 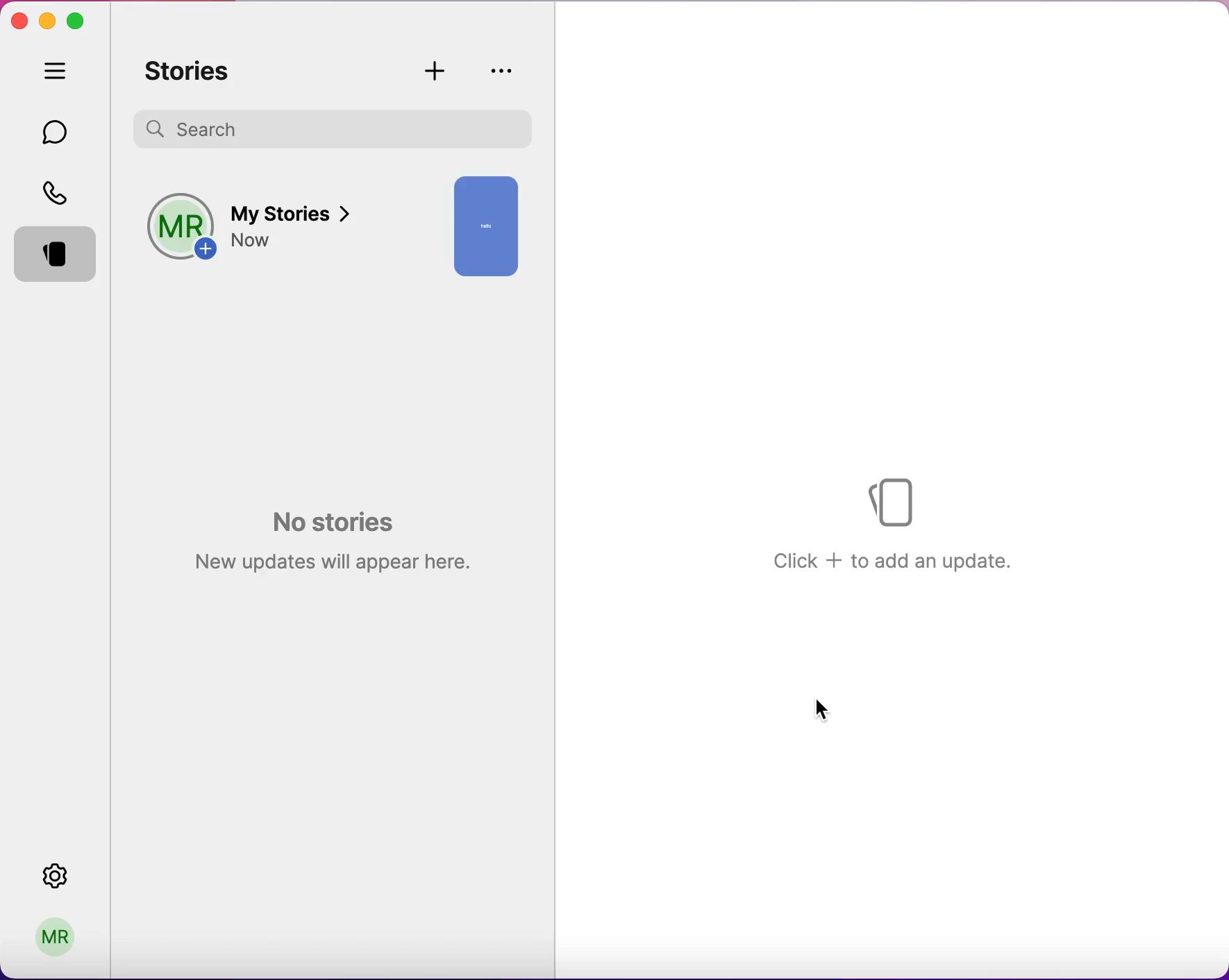 What do you see at coordinates (894, 559) in the screenshot?
I see `Click + to add an update.` at bounding box center [894, 559].